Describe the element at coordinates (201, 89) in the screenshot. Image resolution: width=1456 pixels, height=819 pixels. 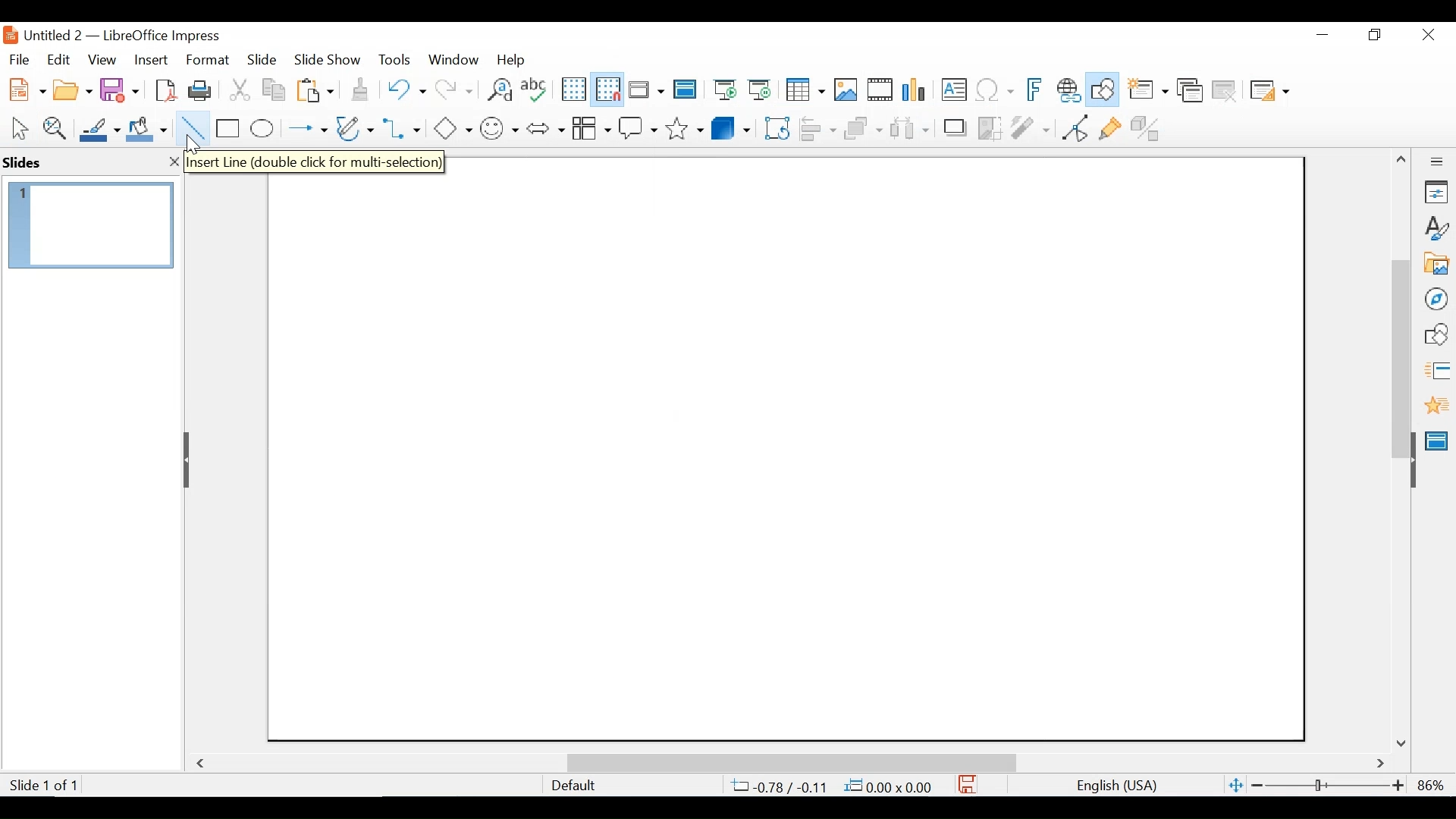
I see `Print` at that location.